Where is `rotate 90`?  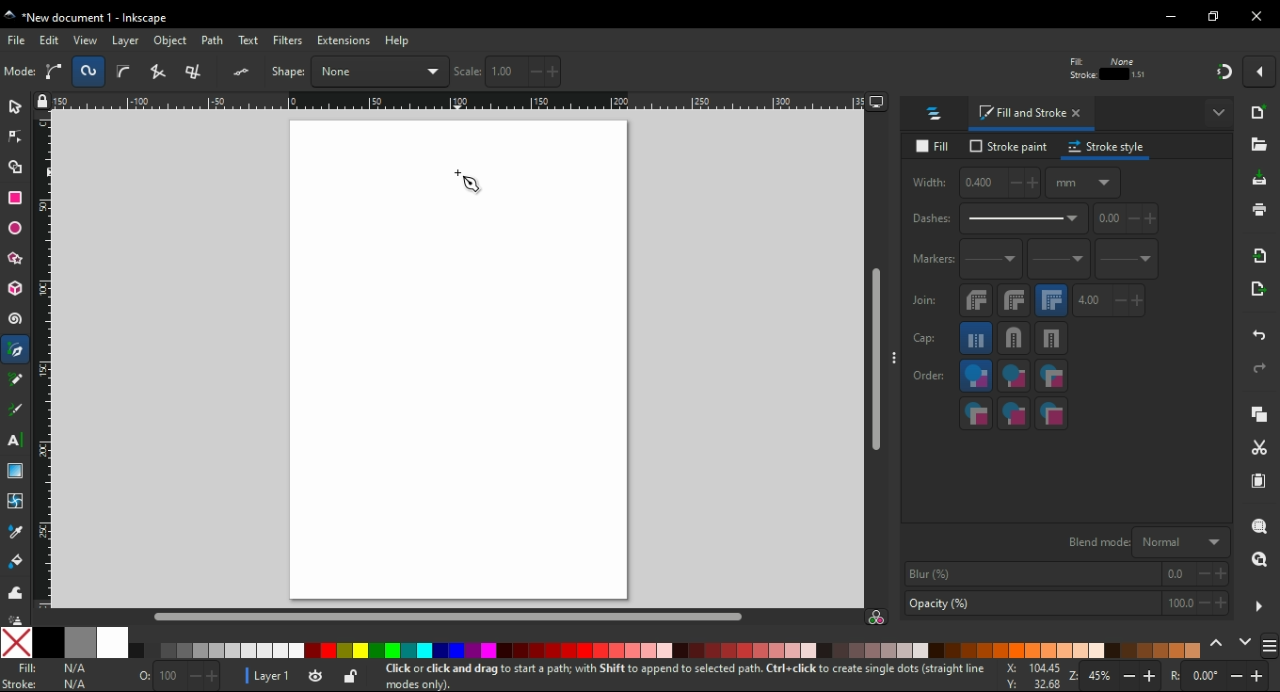
rotate 90 is located at coordinates (207, 72).